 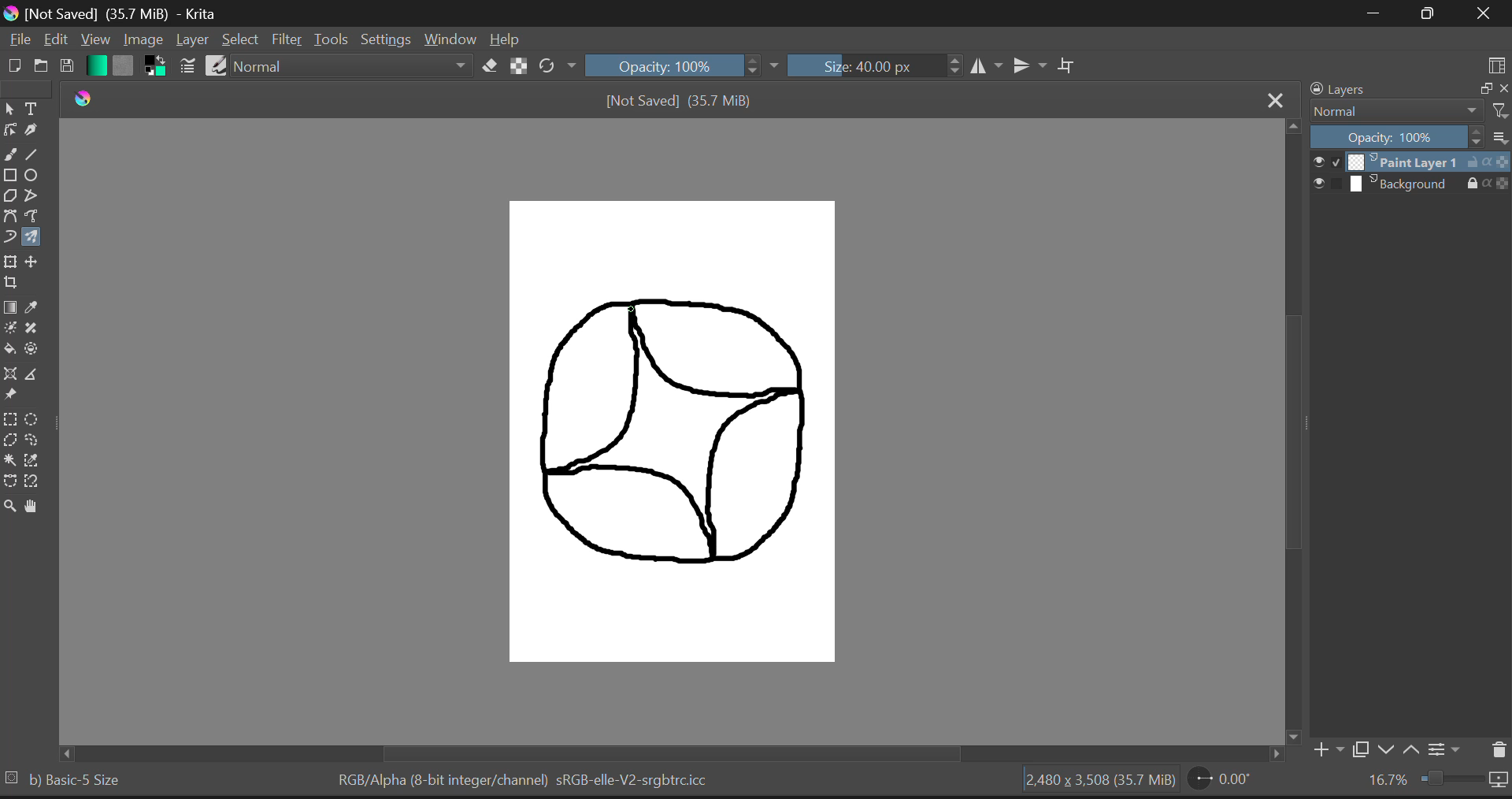 What do you see at coordinates (39, 67) in the screenshot?
I see `Open` at bounding box center [39, 67].